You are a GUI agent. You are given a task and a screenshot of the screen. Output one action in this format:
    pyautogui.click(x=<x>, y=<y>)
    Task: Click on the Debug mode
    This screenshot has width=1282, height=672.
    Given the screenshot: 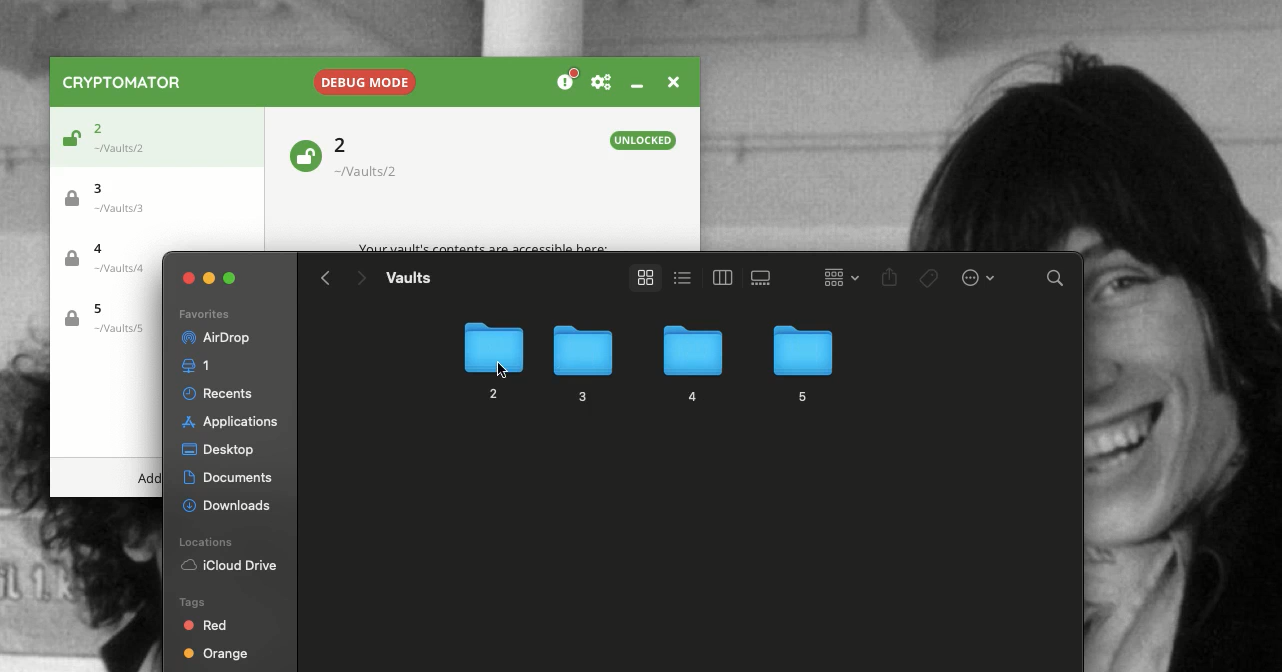 What is the action you would take?
    pyautogui.click(x=362, y=78)
    